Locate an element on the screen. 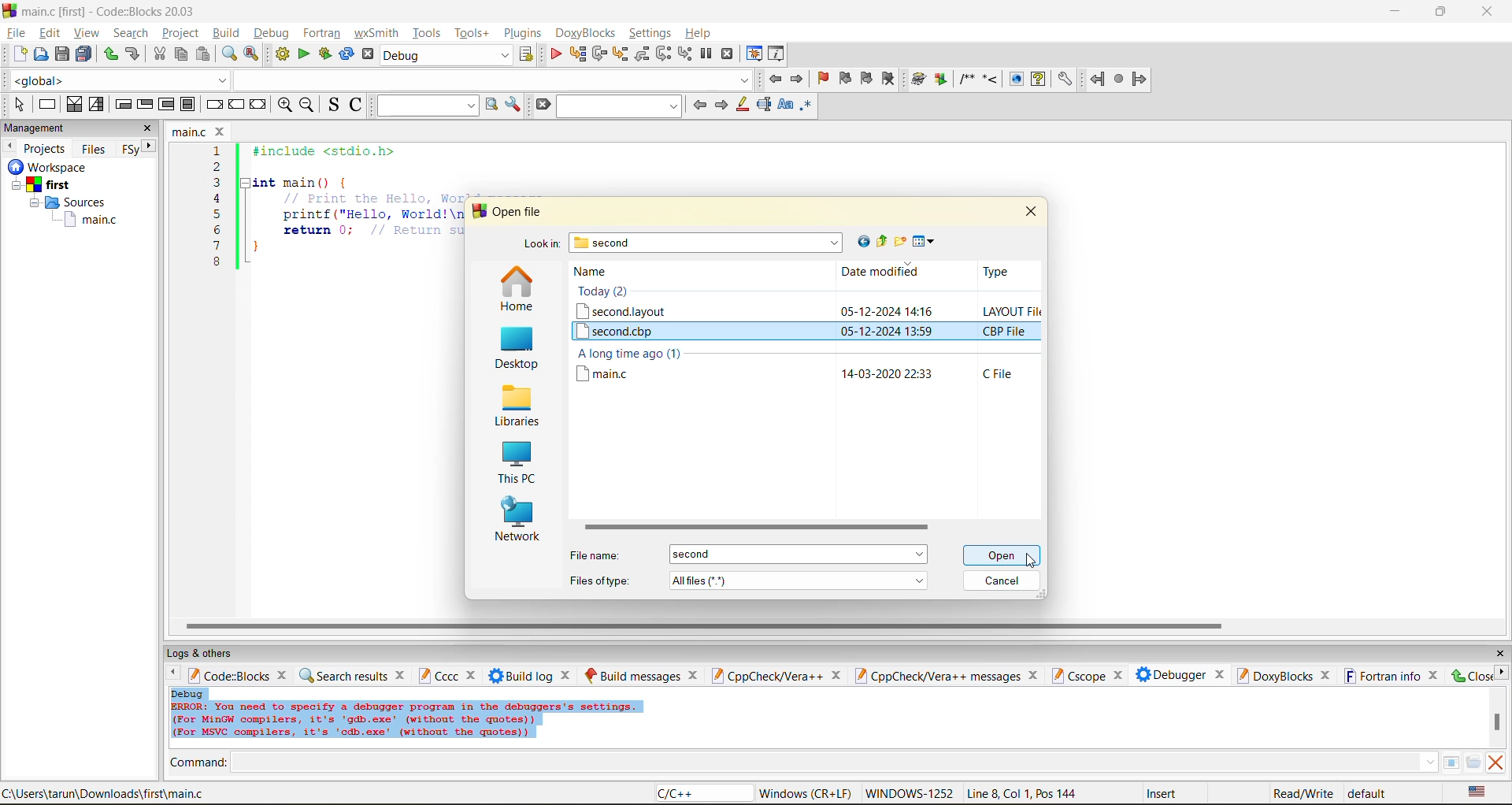 The width and height of the screenshot is (1512, 805). close is located at coordinates (694, 675).